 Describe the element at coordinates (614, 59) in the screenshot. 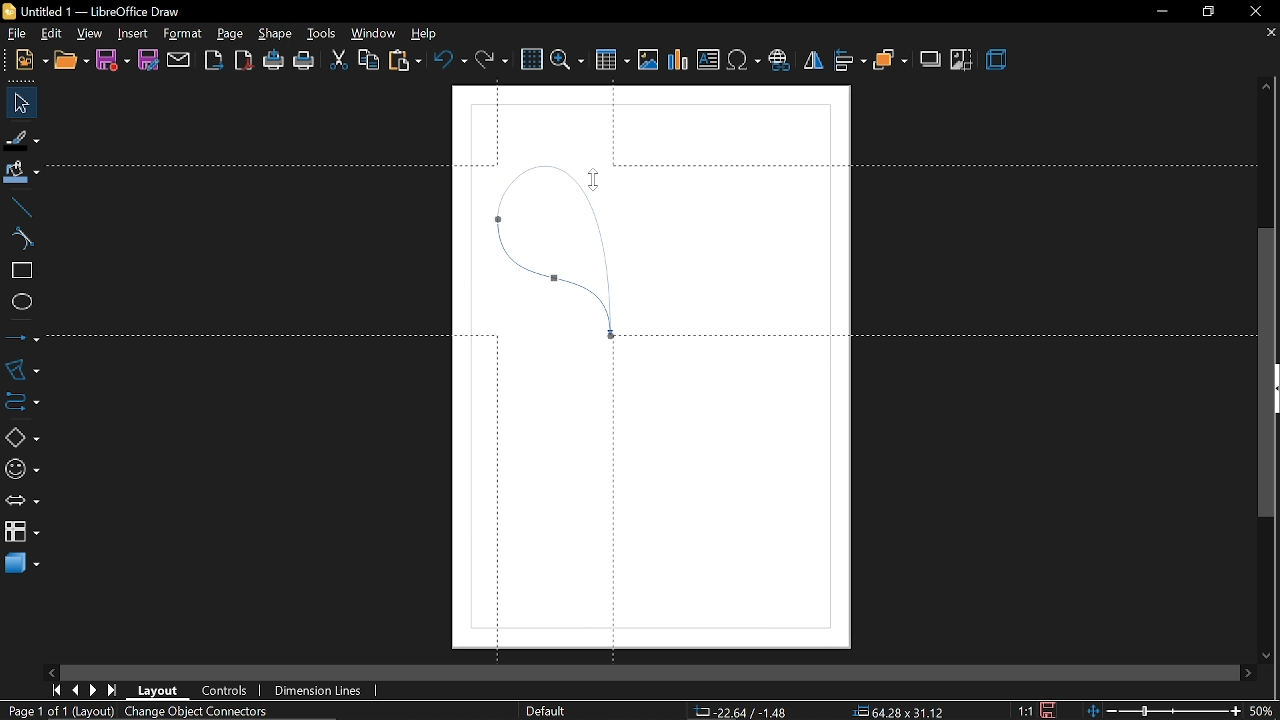

I see `Insert table` at that location.